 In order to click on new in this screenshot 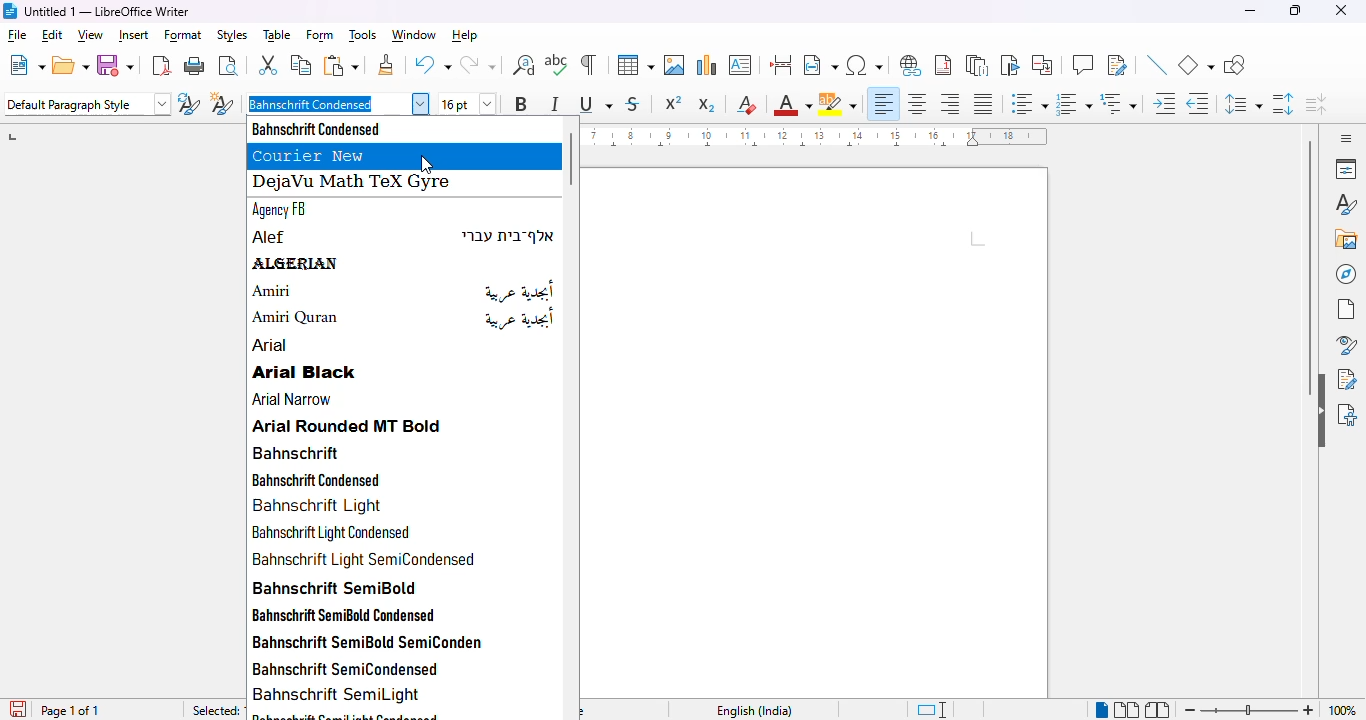, I will do `click(27, 64)`.